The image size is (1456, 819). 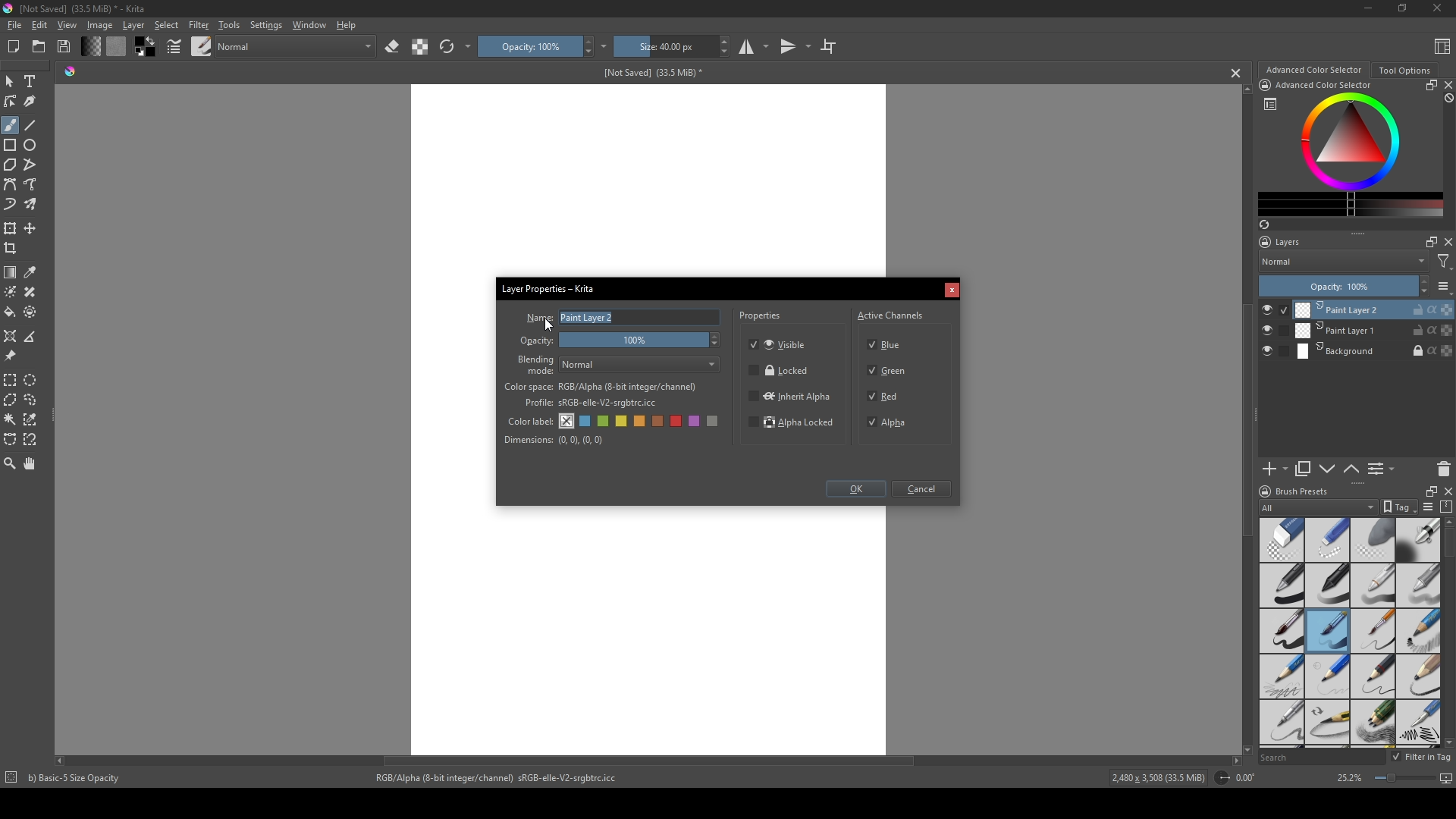 I want to click on Advanced Color Selector, so click(x=1324, y=86).